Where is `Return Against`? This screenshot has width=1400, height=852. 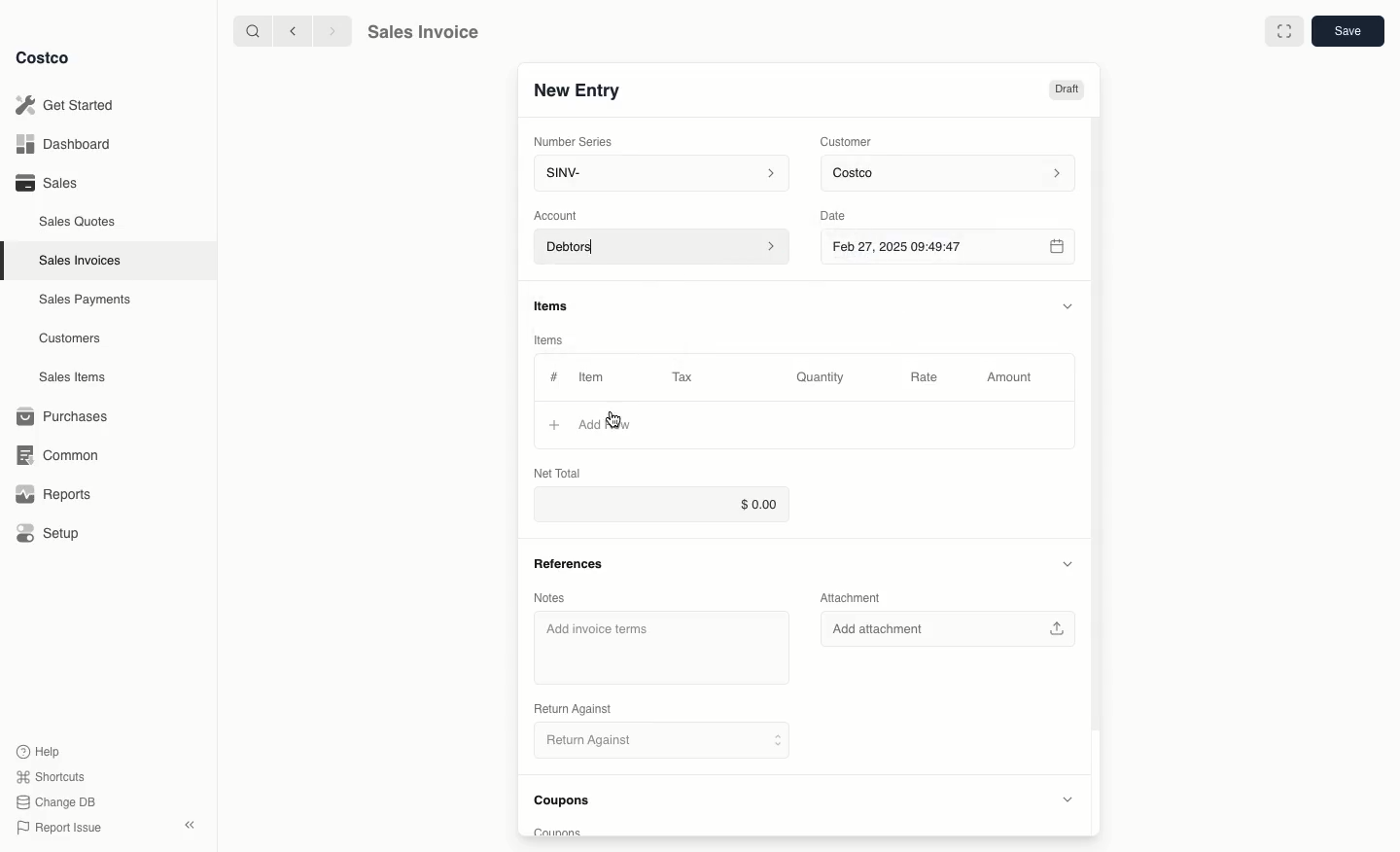
Return Against is located at coordinates (651, 741).